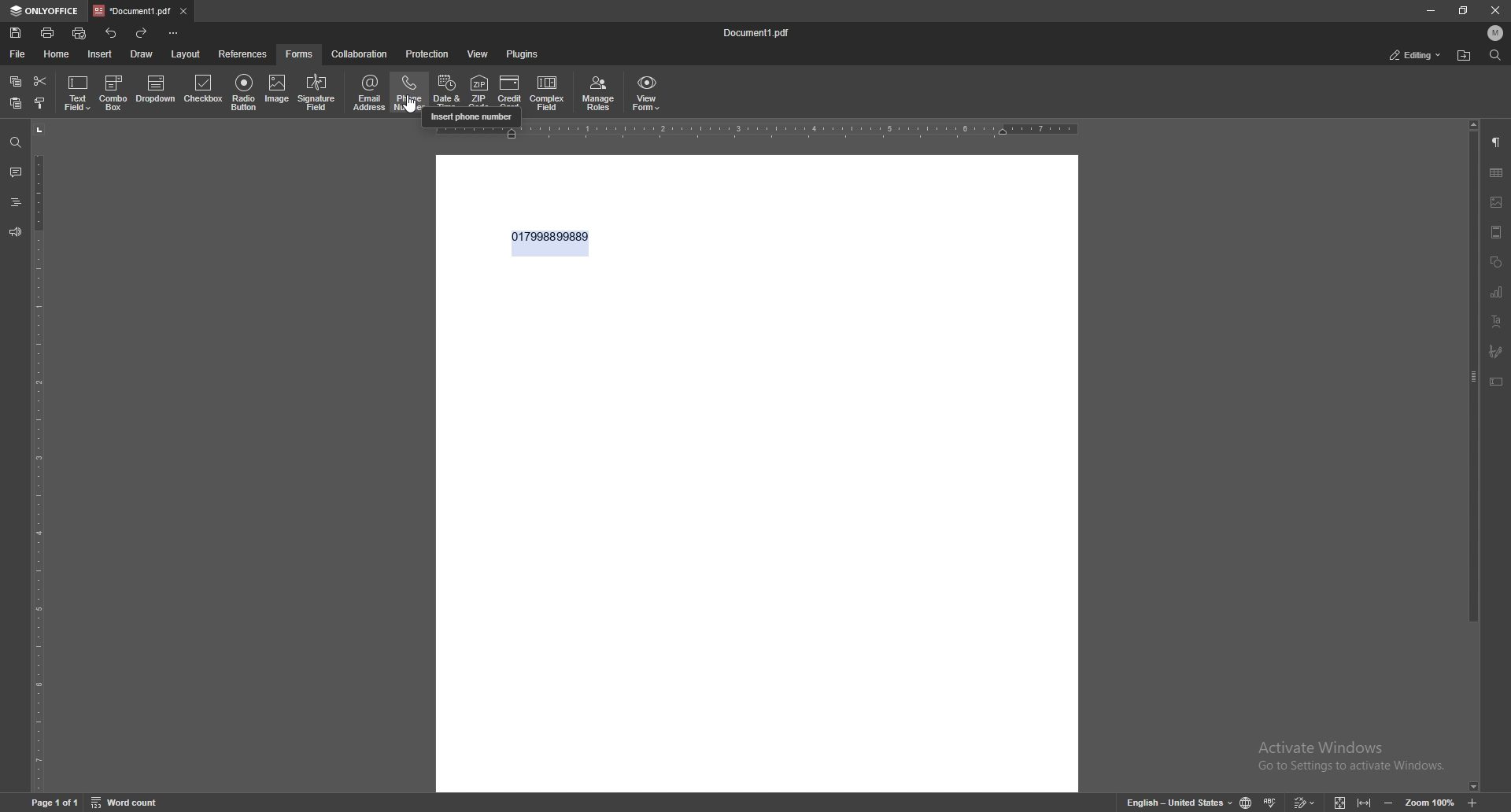 The image size is (1511, 812). Describe the element at coordinates (1416, 55) in the screenshot. I see `status` at that location.